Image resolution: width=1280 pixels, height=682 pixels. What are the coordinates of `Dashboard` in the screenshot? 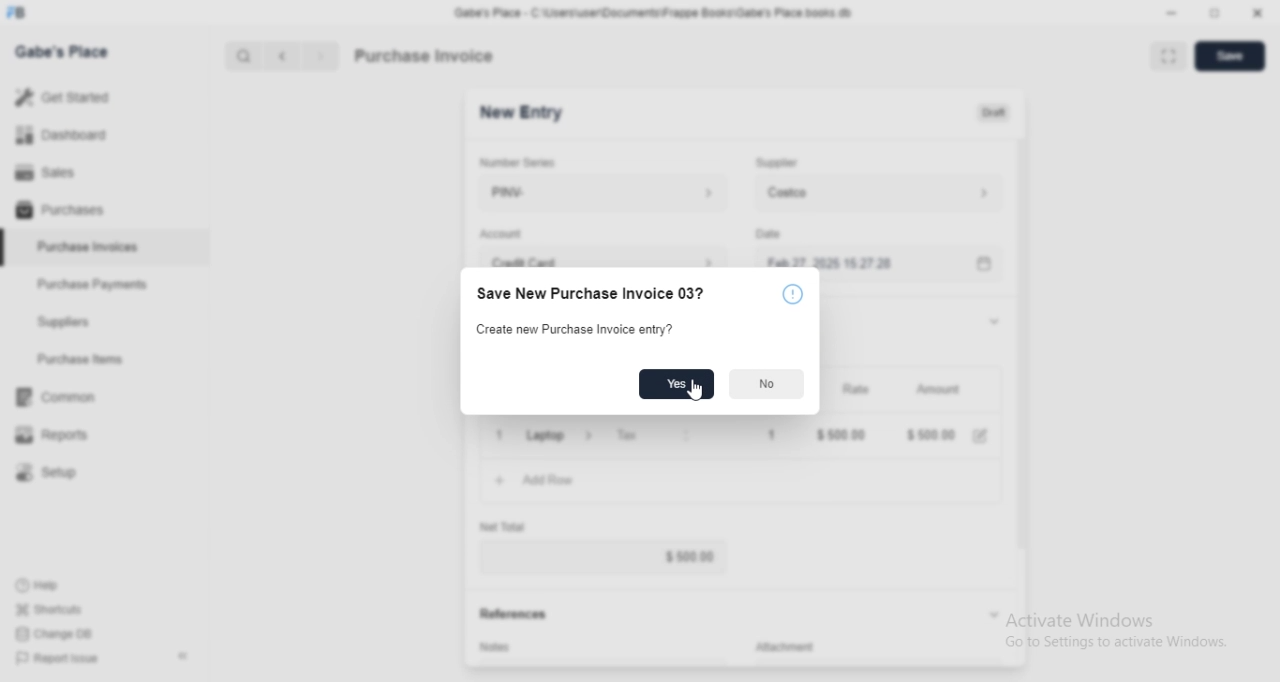 It's located at (104, 134).